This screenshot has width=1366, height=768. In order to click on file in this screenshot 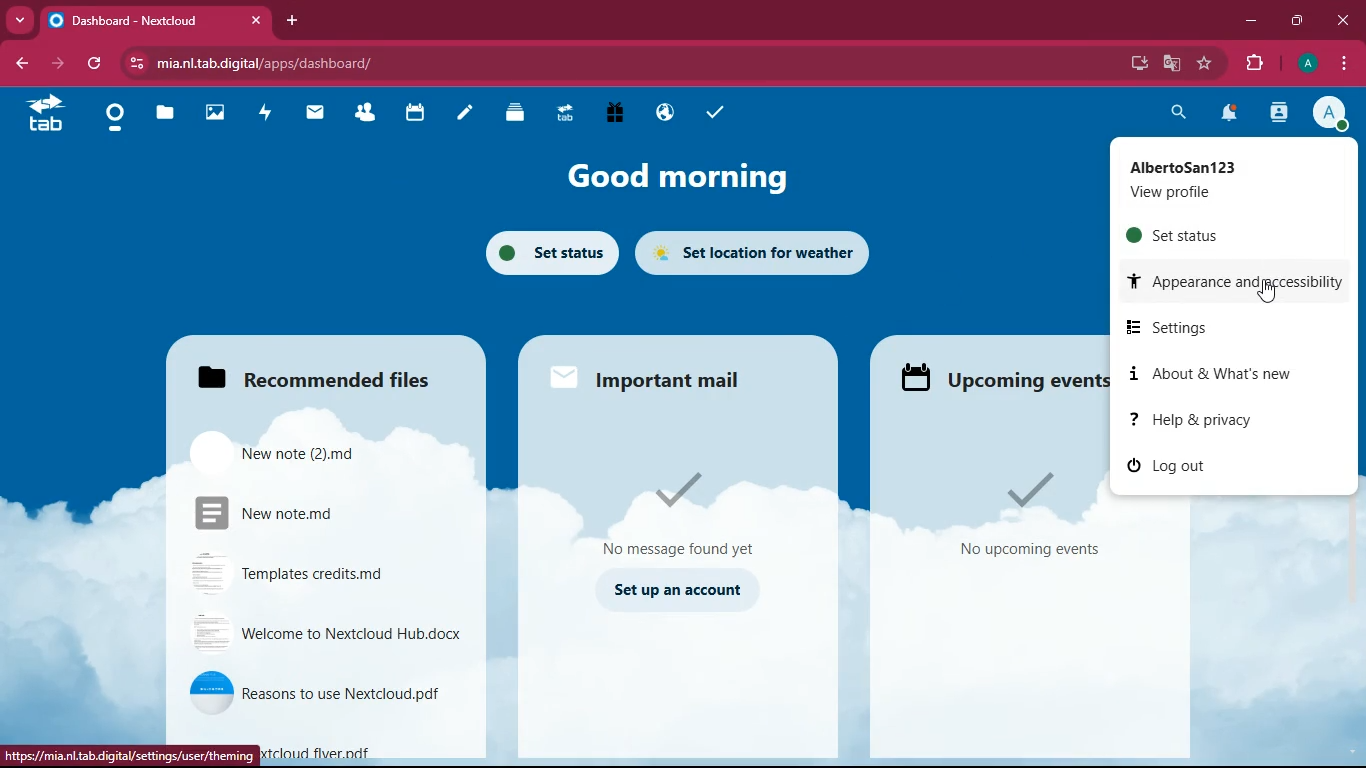, I will do `click(324, 574)`.